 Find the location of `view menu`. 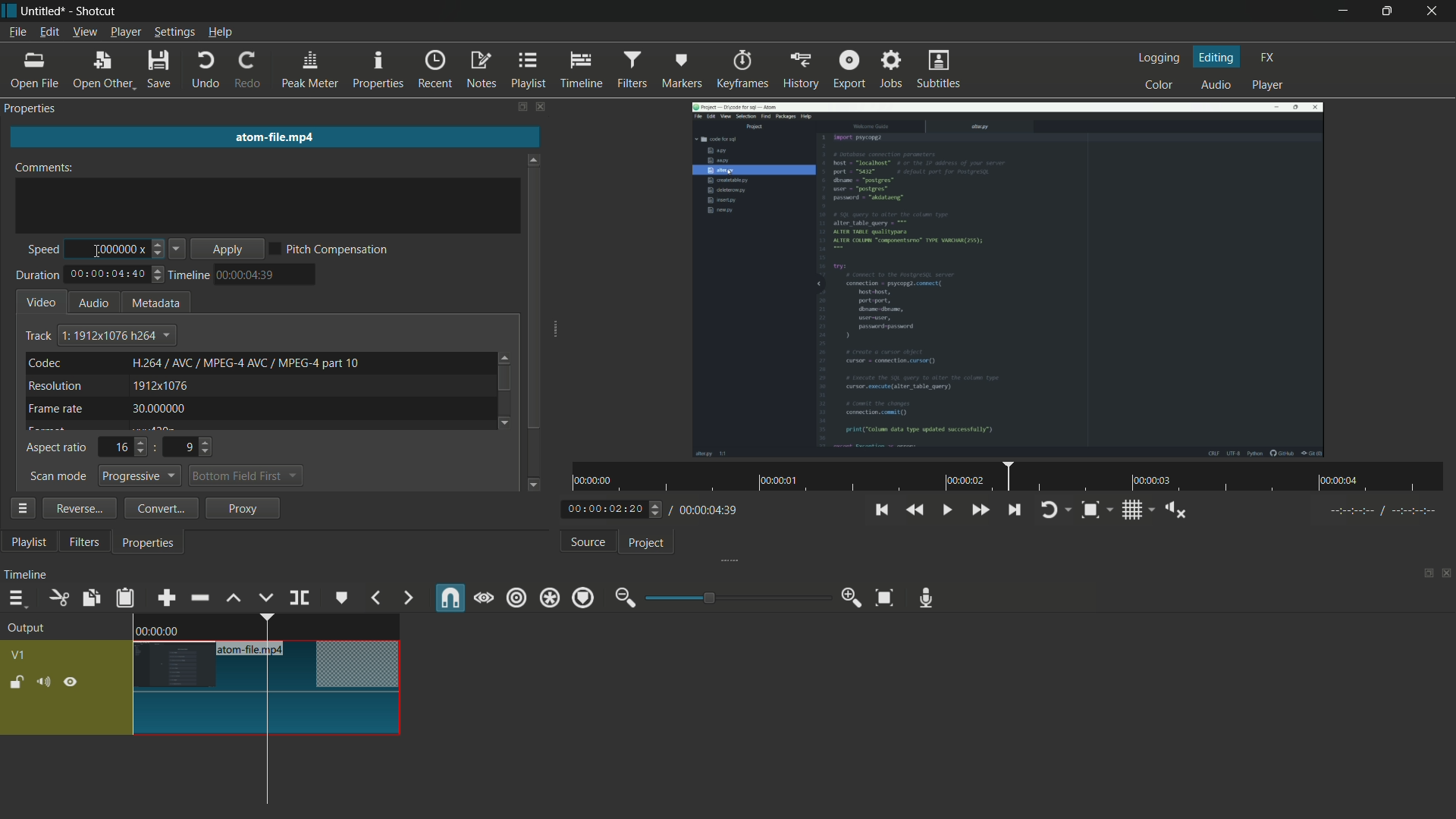

view menu is located at coordinates (86, 33).